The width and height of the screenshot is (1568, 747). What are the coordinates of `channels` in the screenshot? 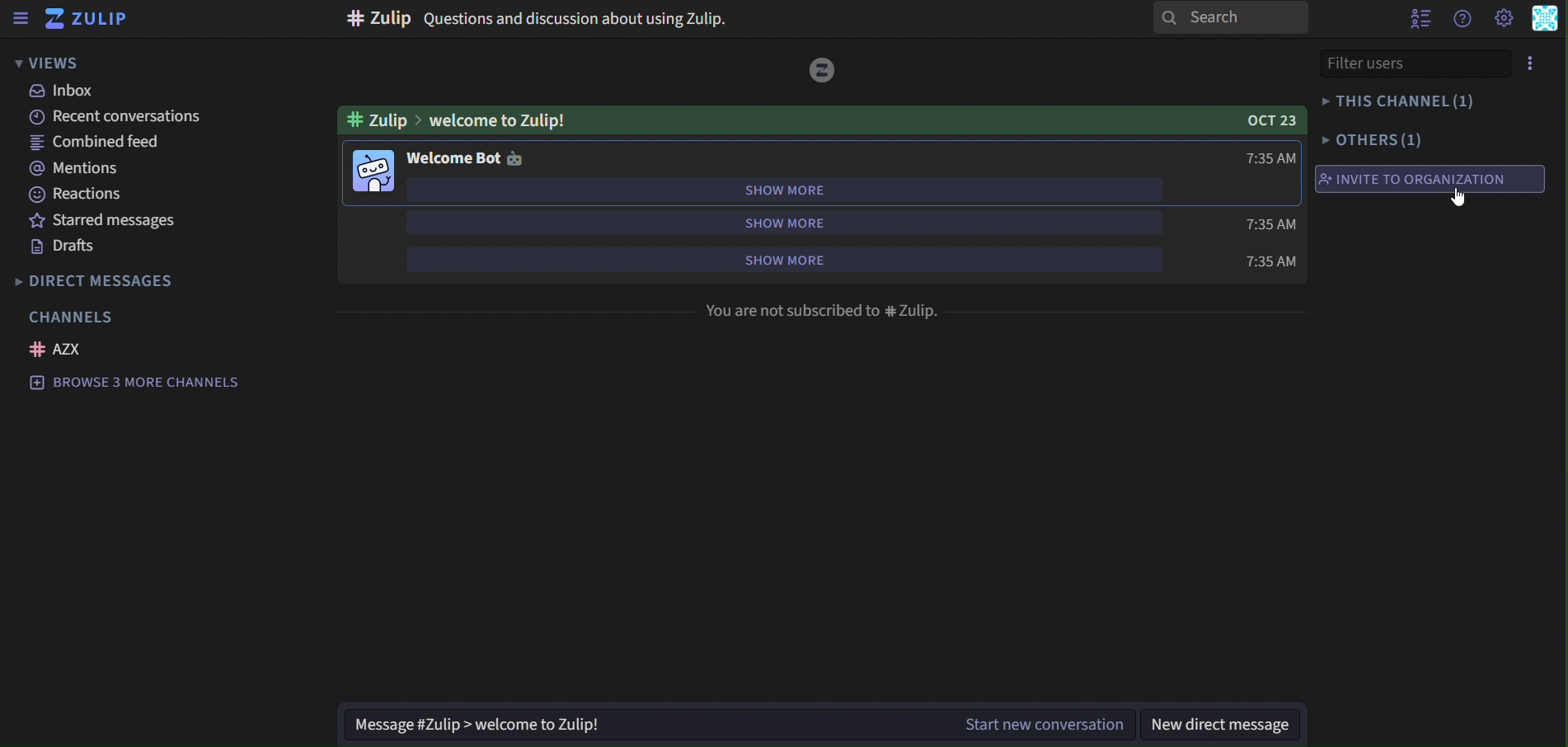 It's located at (74, 318).